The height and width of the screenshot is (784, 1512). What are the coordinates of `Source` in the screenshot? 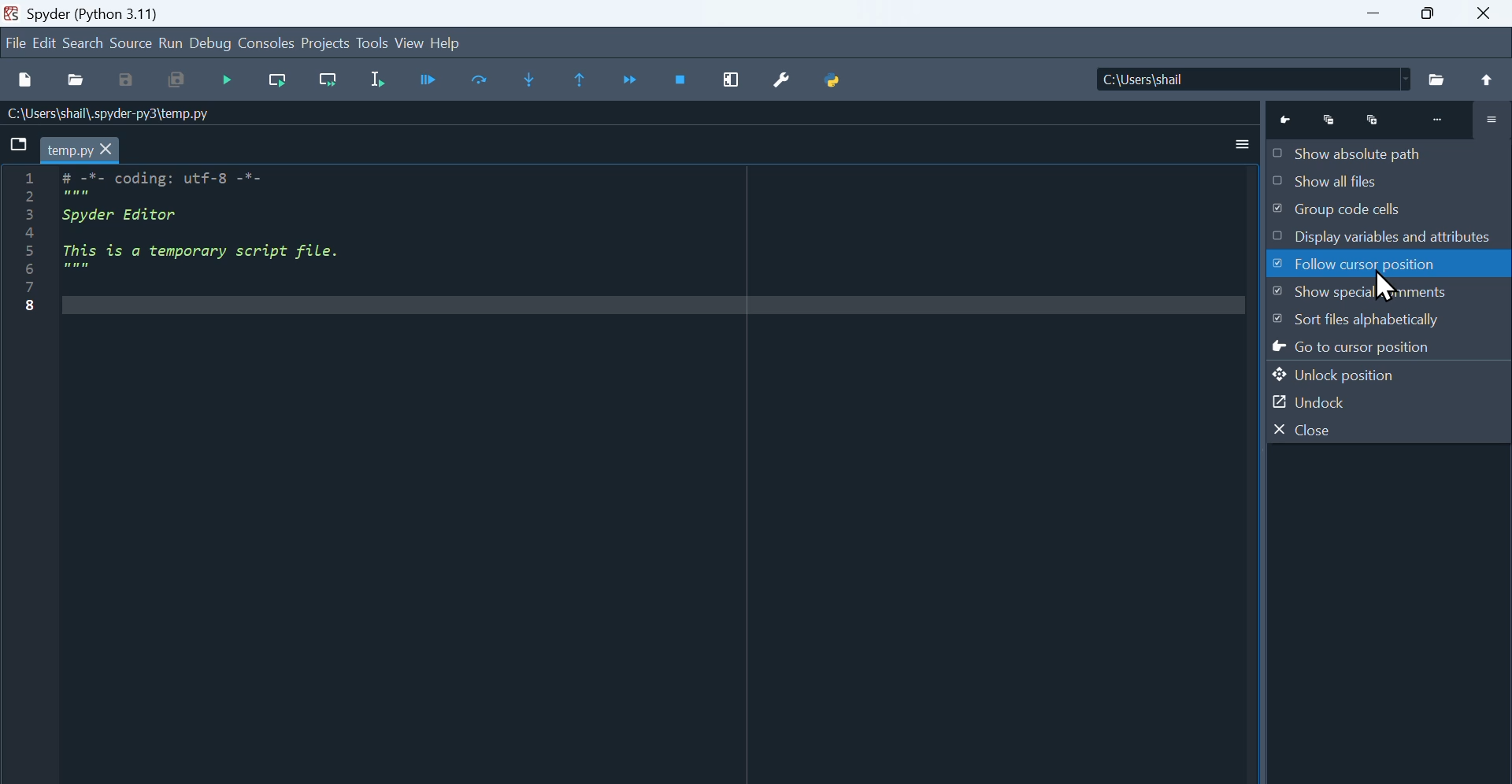 It's located at (133, 43).